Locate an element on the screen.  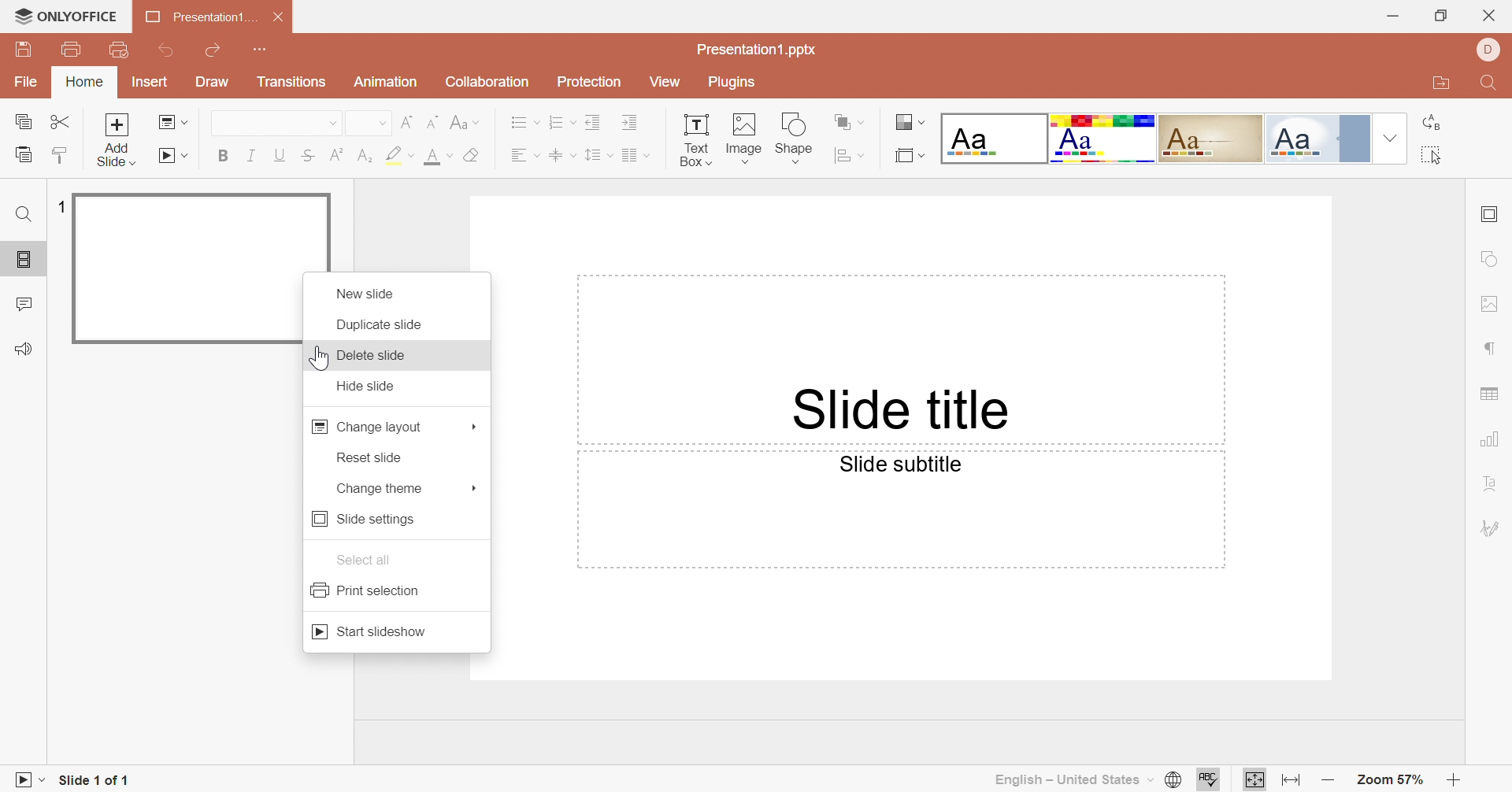
Drop Down is located at coordinates (537, 121).